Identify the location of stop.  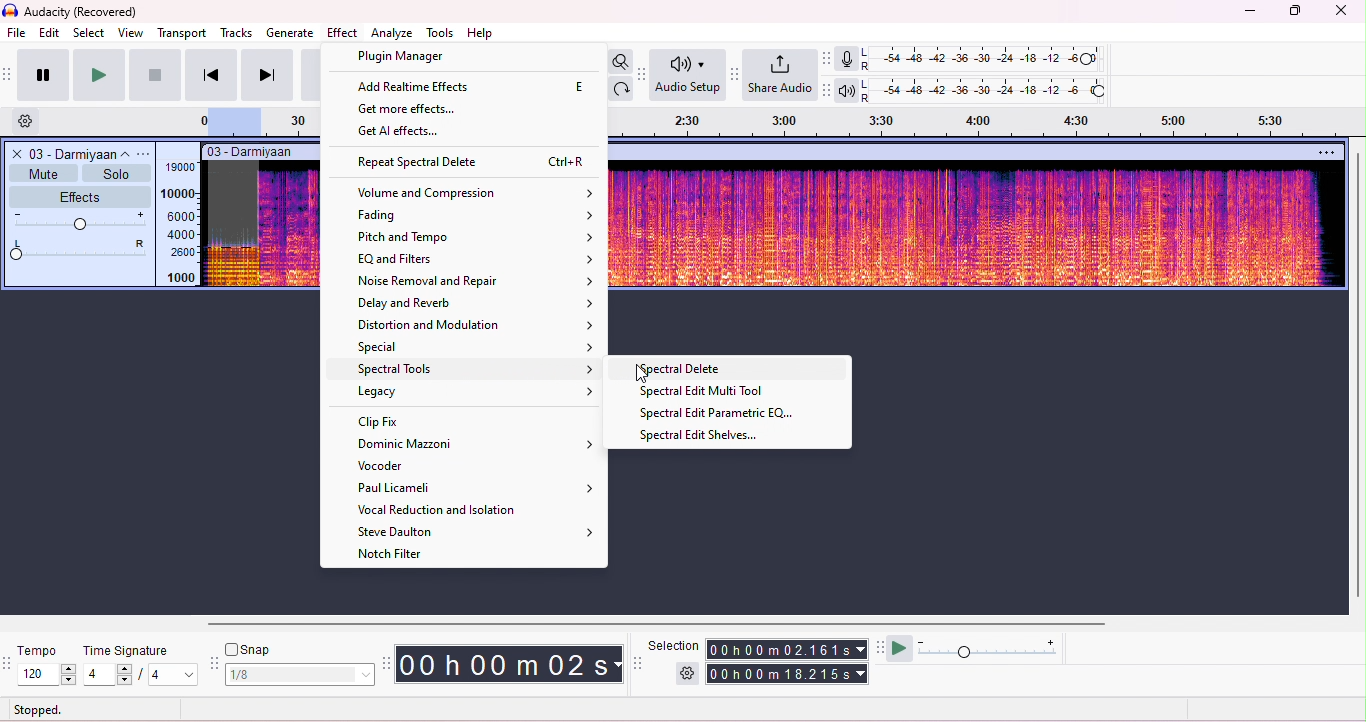
(155, 74).